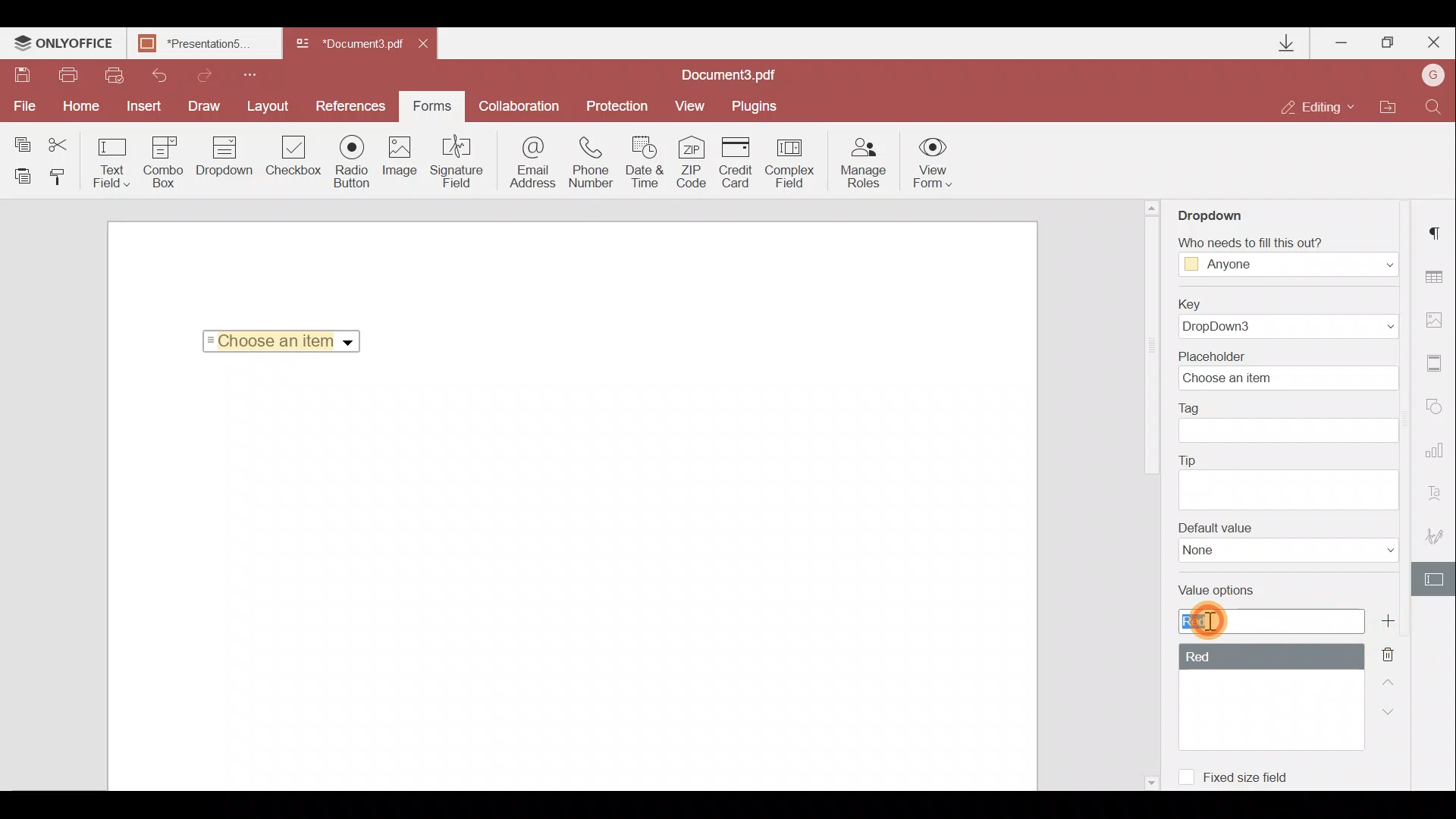 This screenshot has width=1456, height=819. I want to click on Complex field, so click(791, 162).